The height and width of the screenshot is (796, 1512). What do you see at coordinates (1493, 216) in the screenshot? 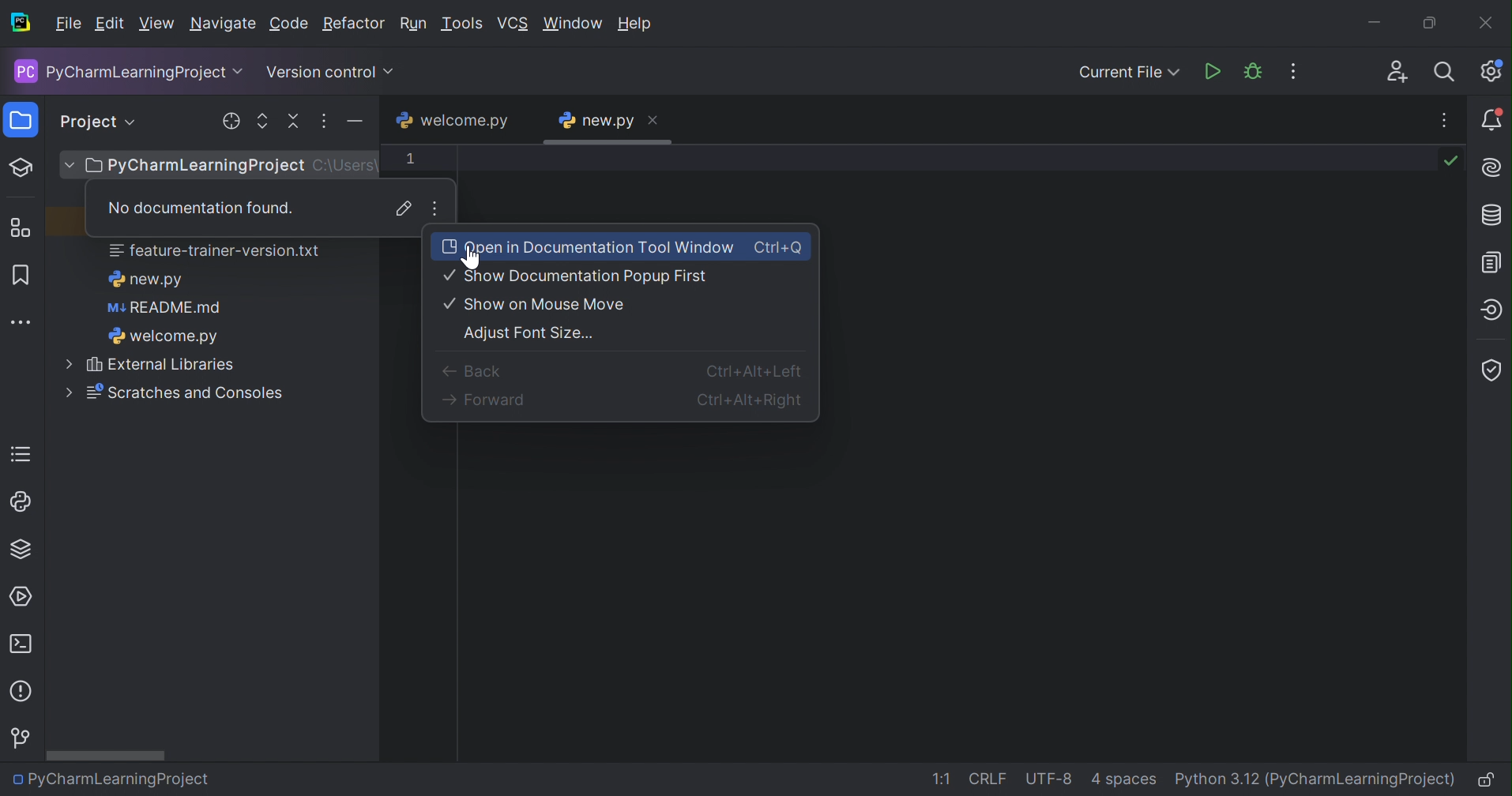
I see `Database` at bounding box center [1493, 216].